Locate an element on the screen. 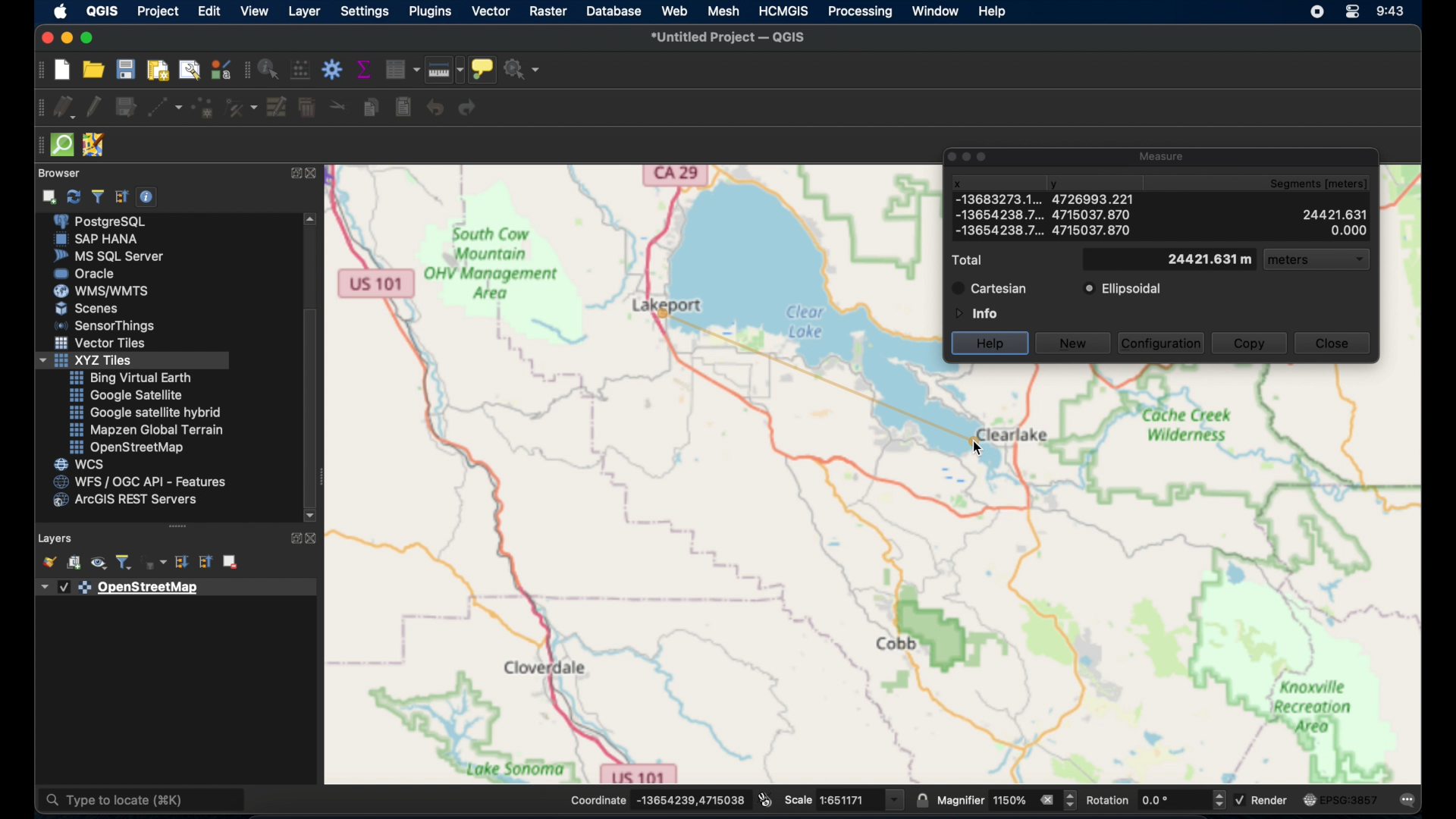 This screenshot has height=819, width=1456. window is located at coordinates (937, 11).